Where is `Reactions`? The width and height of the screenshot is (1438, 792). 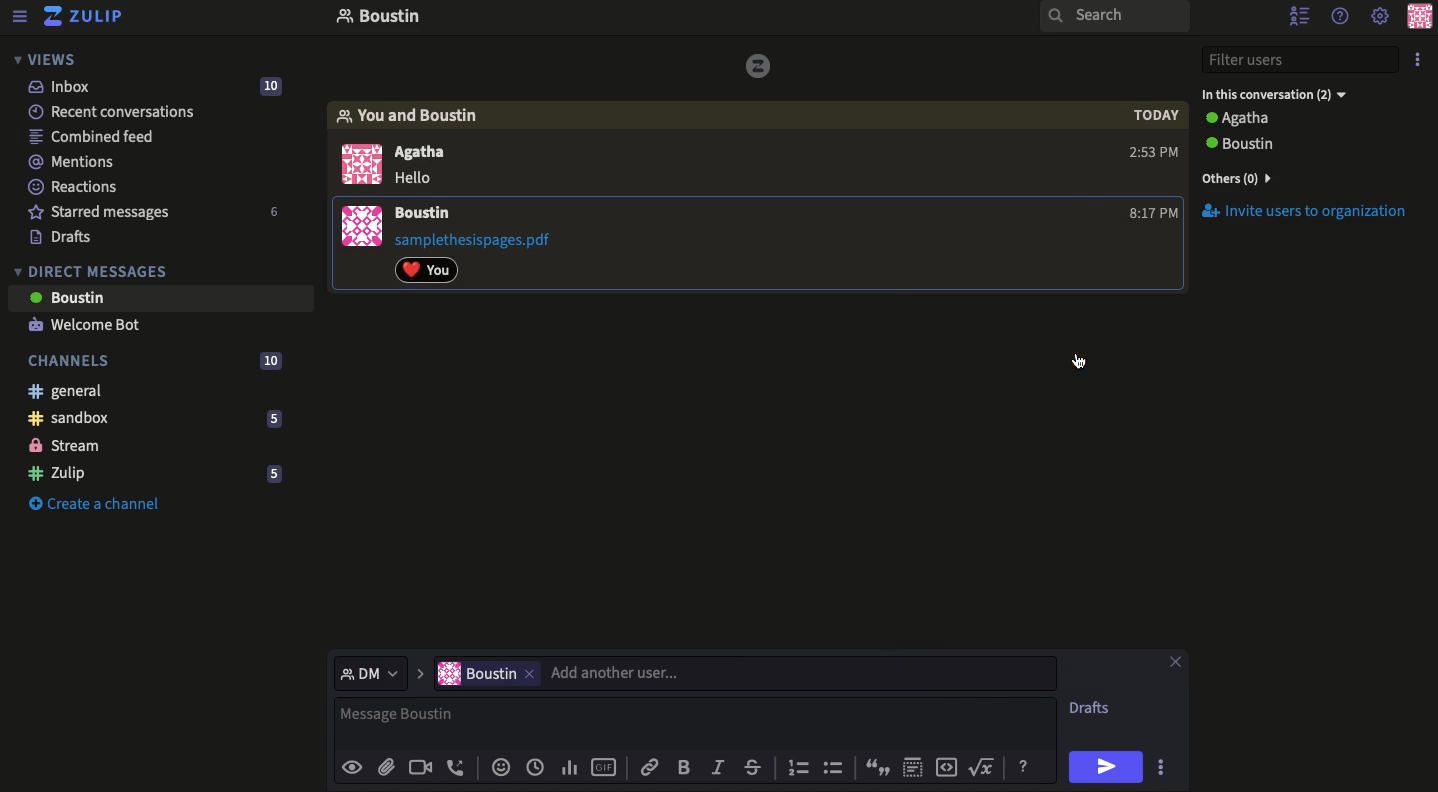 Reactions is located at coordinates (75, 189).